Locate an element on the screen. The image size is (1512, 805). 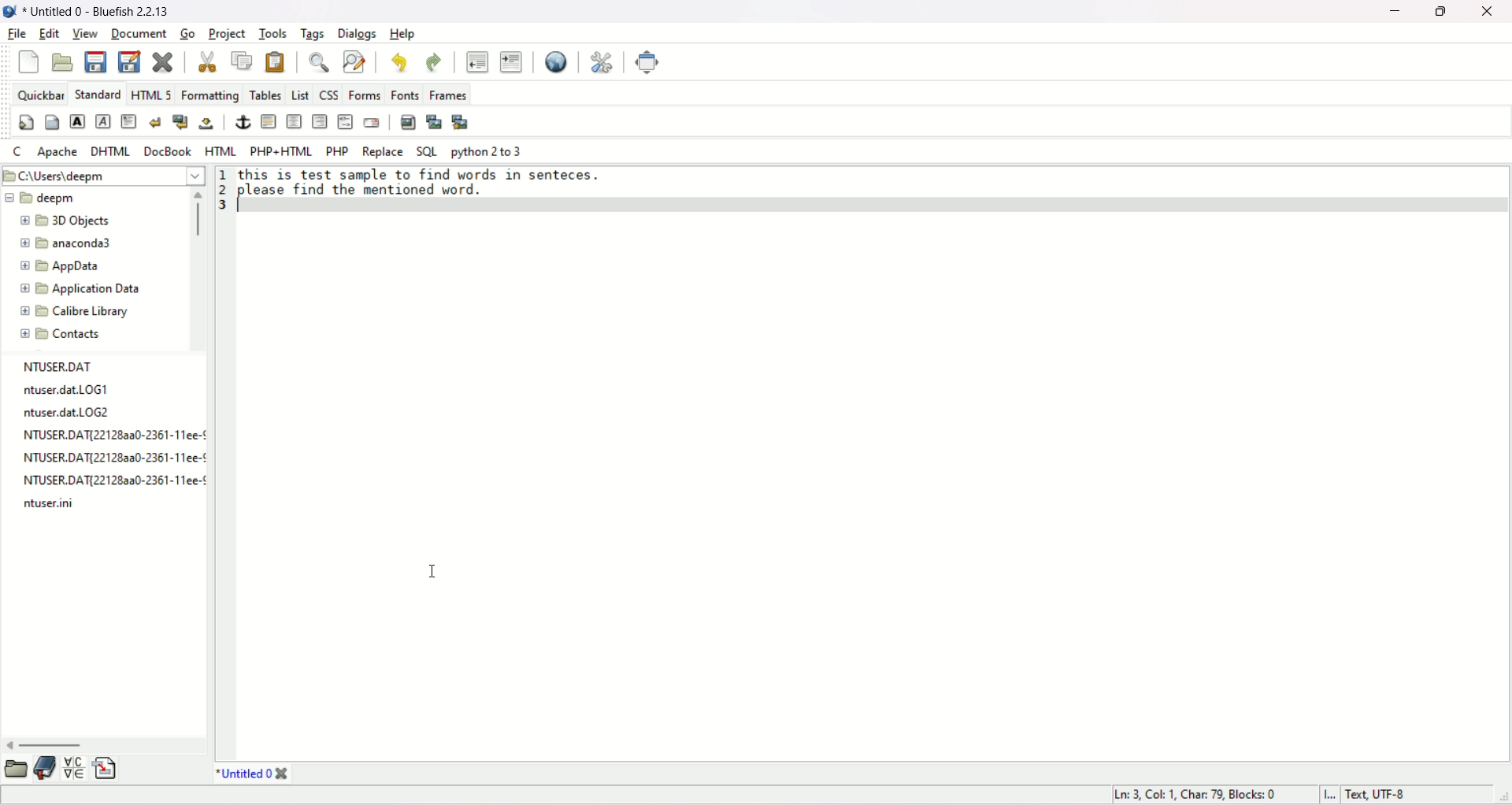
tables is located at coordinates (265, 94).